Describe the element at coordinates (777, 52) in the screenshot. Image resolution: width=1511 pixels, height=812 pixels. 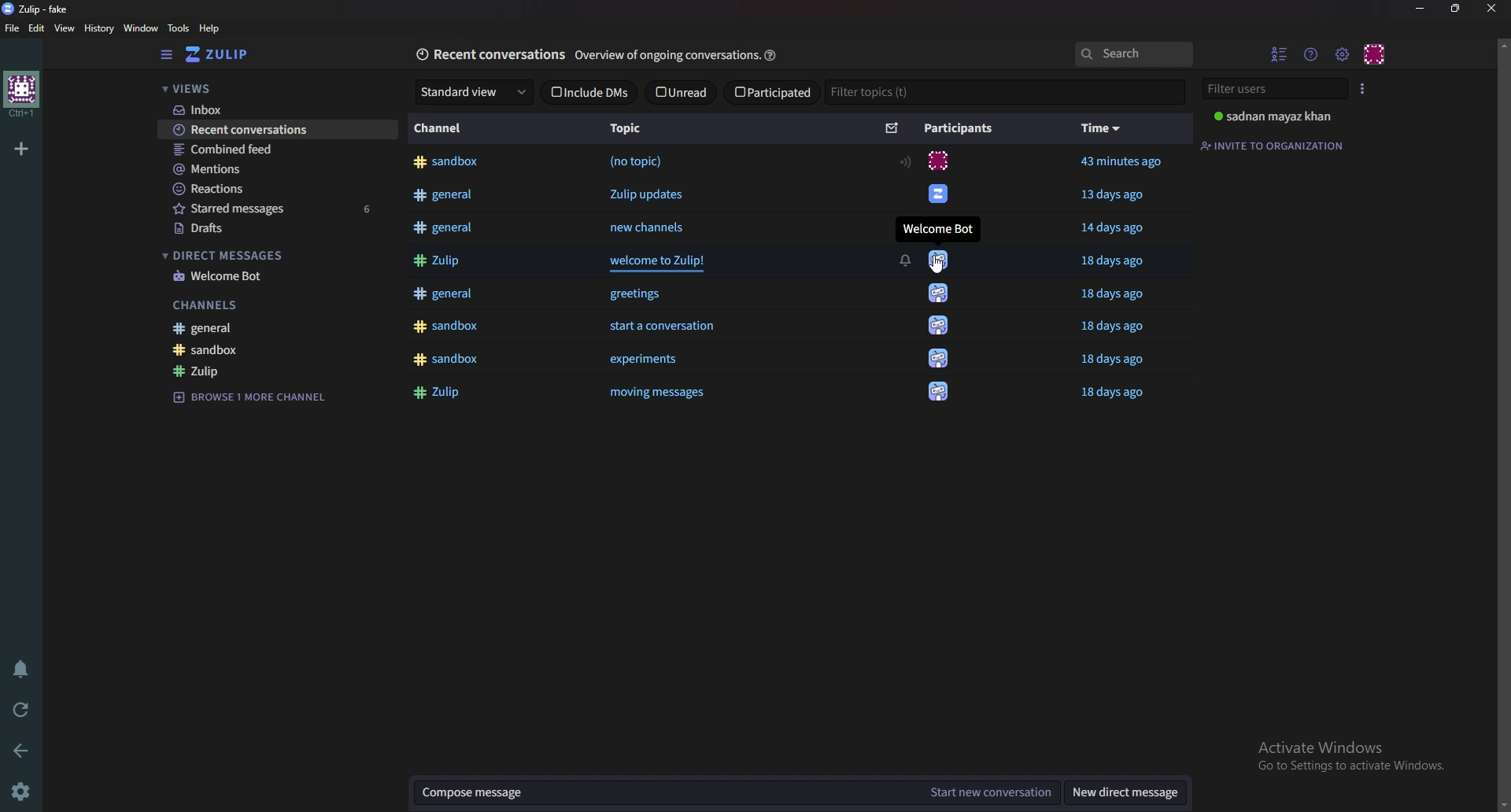
I see `help` at that location.